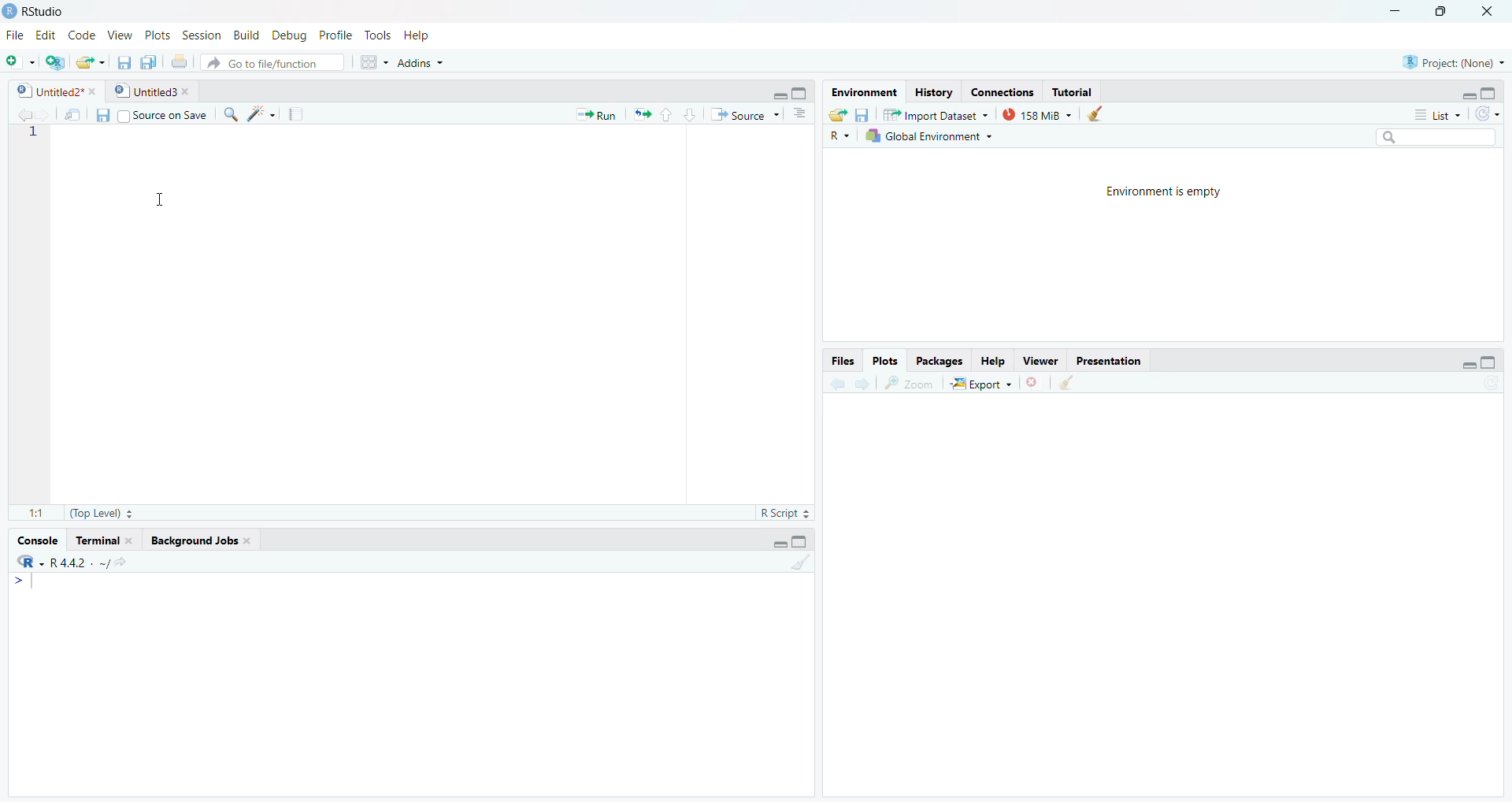  Describe the element at coordinates (56, 62) in the screenshot. I see `Create project` at that location.